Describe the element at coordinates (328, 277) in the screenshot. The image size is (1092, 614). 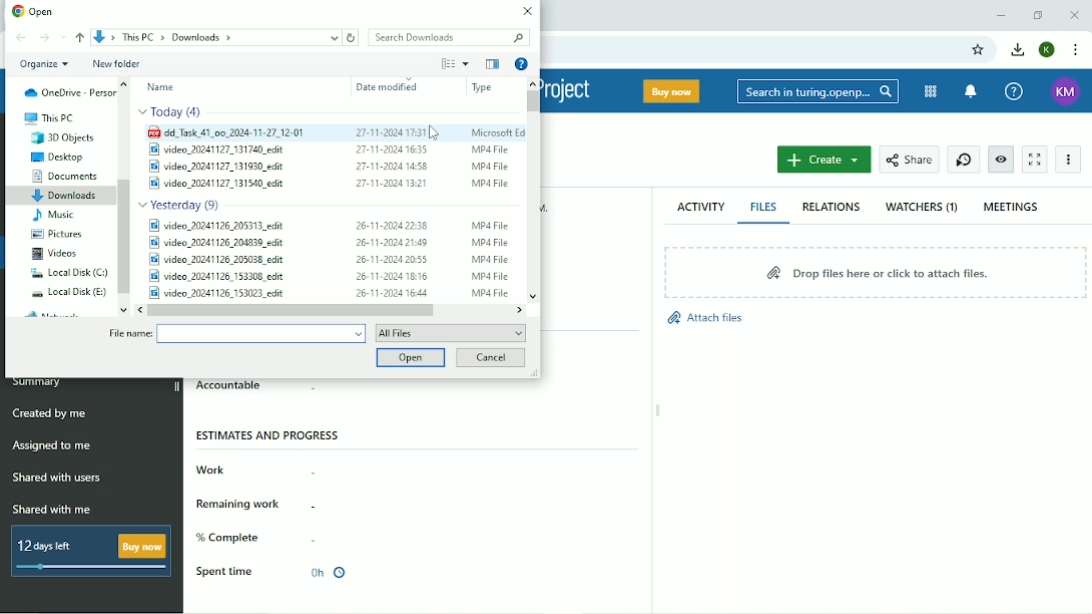
I see `Video file` at that location.